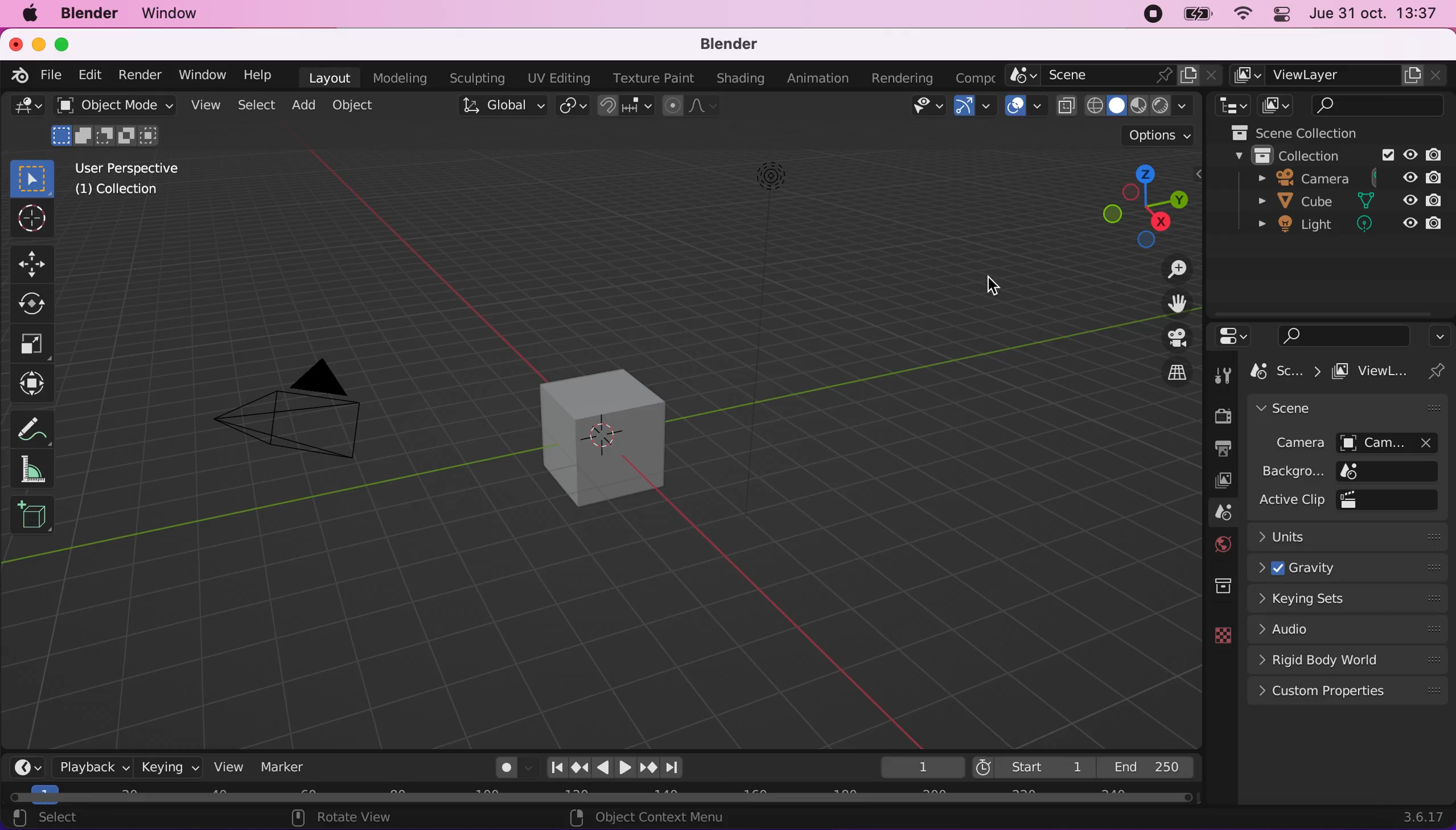 This screenshot has height=830, width=1456. What do you see at coordinates (35, 261) in the screenshot?
I see `move` at bounding box center [35, 261].